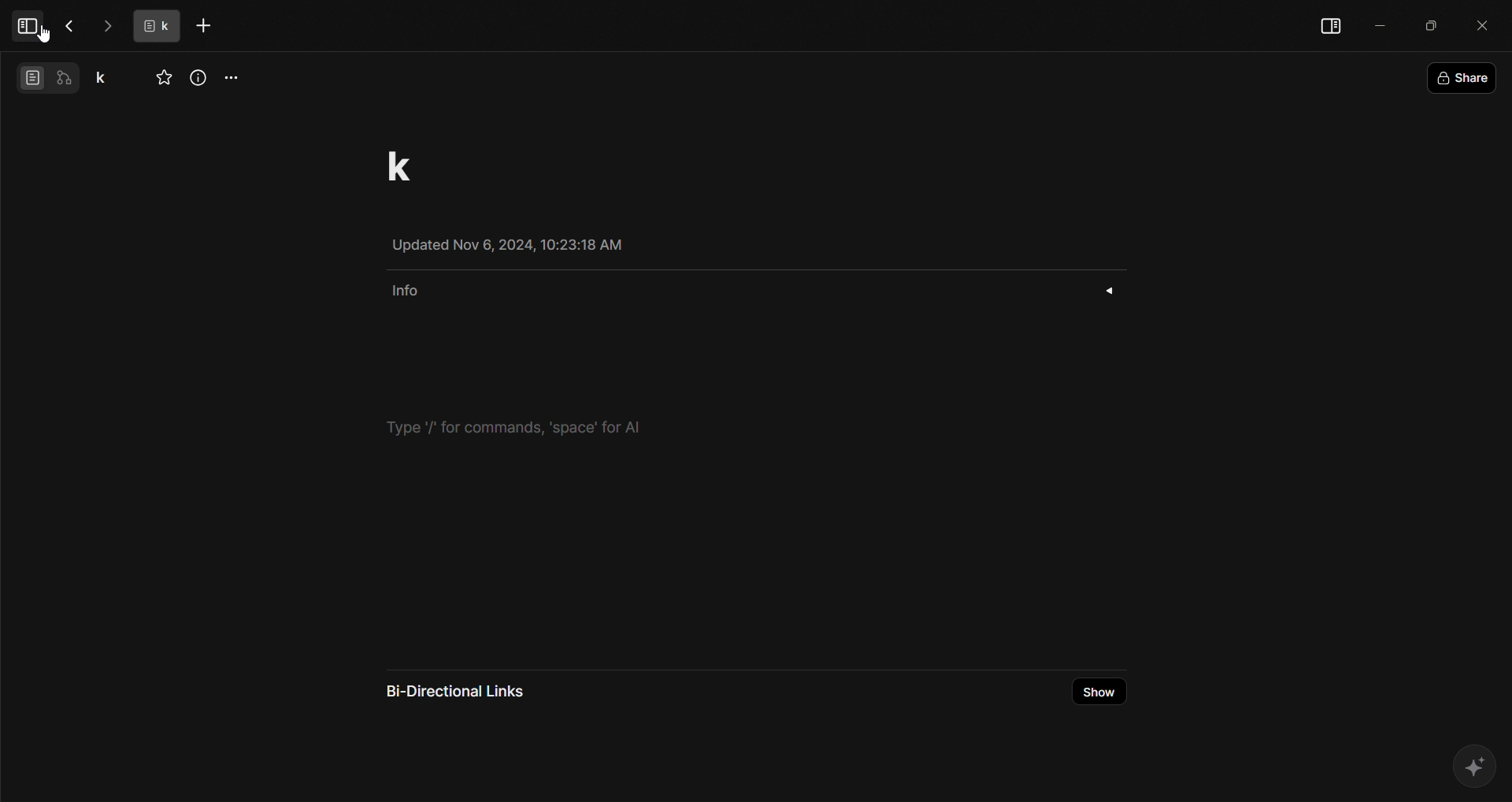  What do you see at coordinates (1329, 23) in the screenshot?
I see `view side bar` at bounding box center [1329, 23].